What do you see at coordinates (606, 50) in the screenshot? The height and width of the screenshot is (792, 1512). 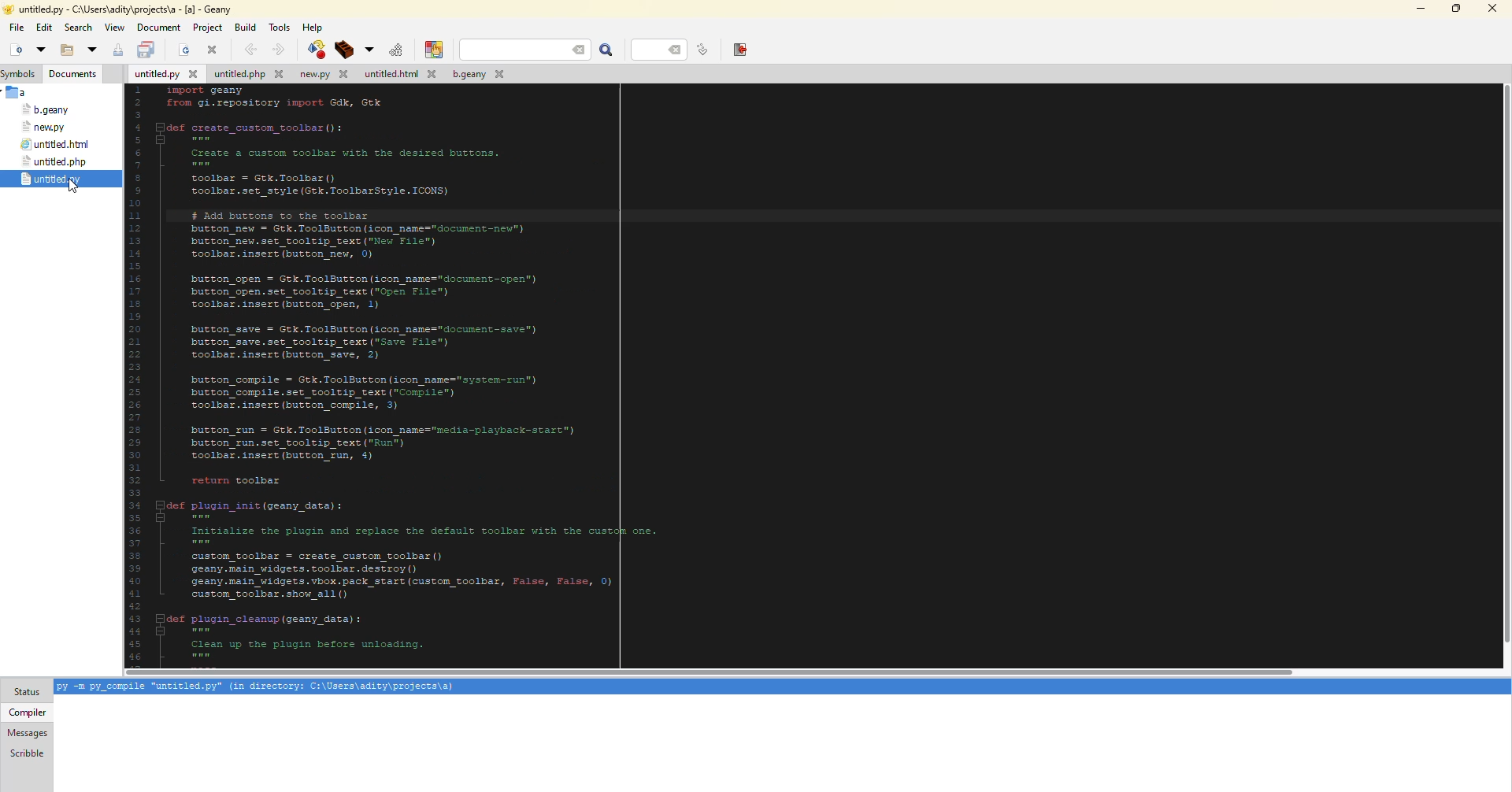 I see `search` at bounding box center [606, 50].